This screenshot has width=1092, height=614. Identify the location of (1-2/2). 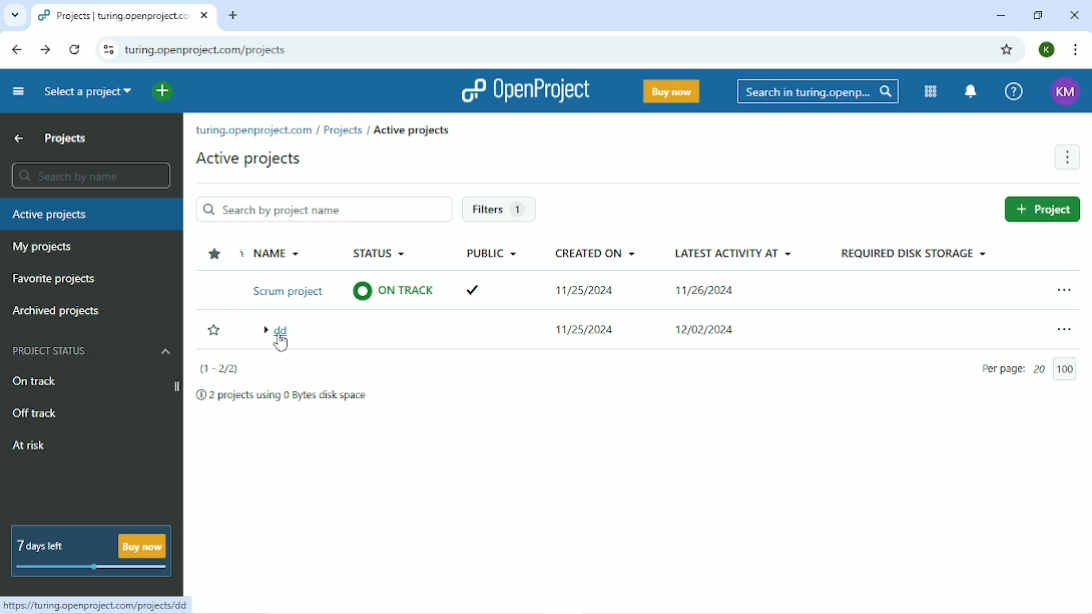
(216, 368).